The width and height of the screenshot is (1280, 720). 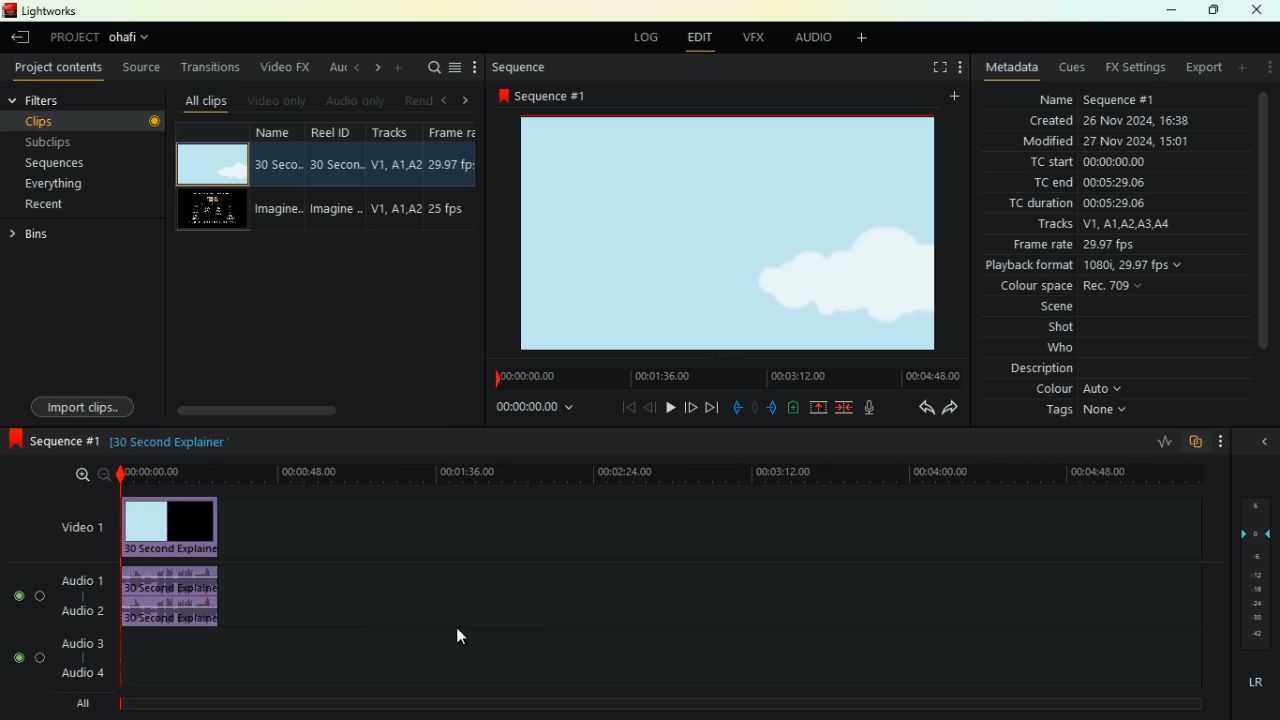 I want to click on add, so click(x=1241, y=70).